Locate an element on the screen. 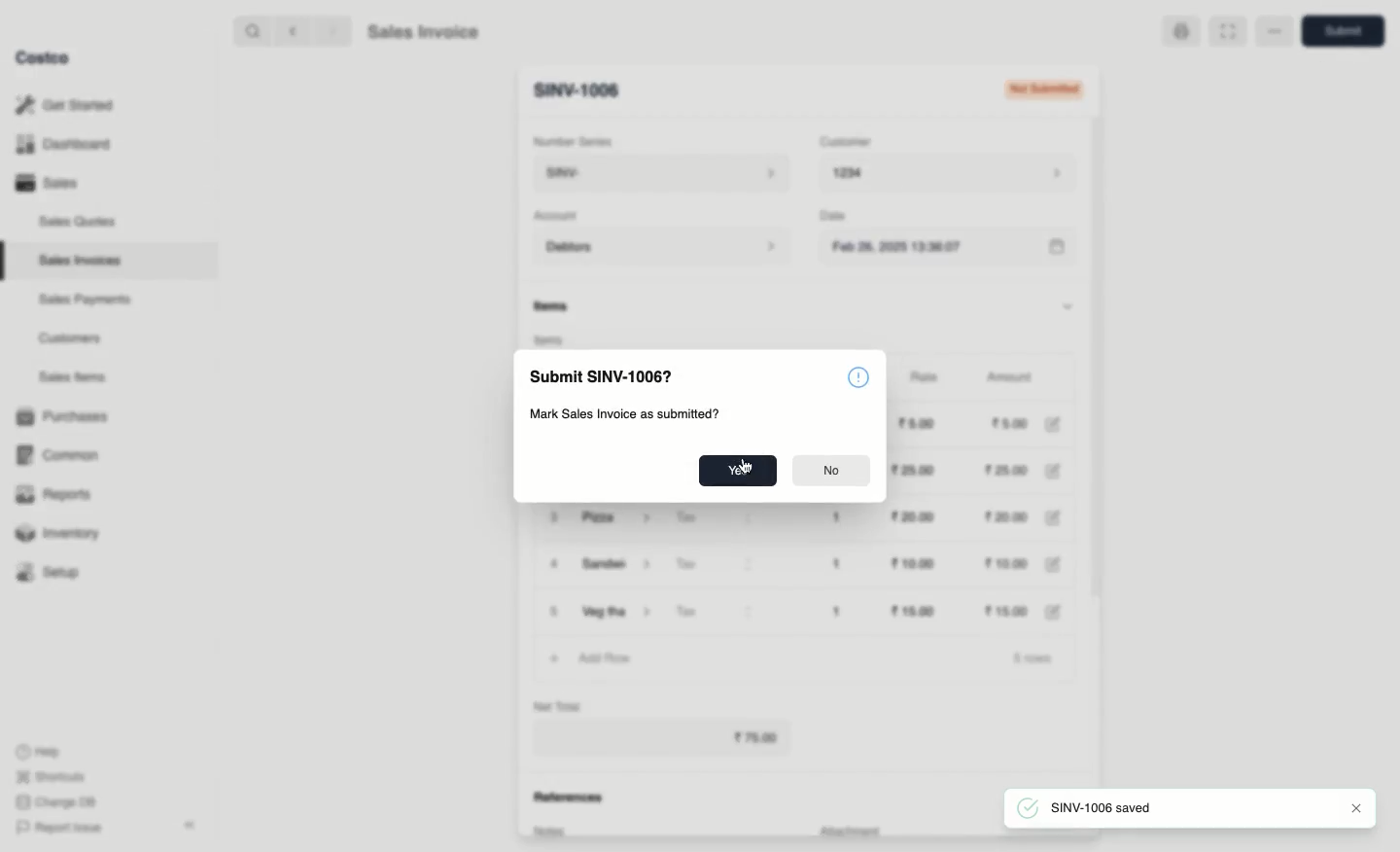  Change DB is located at coordinates (52, 800).